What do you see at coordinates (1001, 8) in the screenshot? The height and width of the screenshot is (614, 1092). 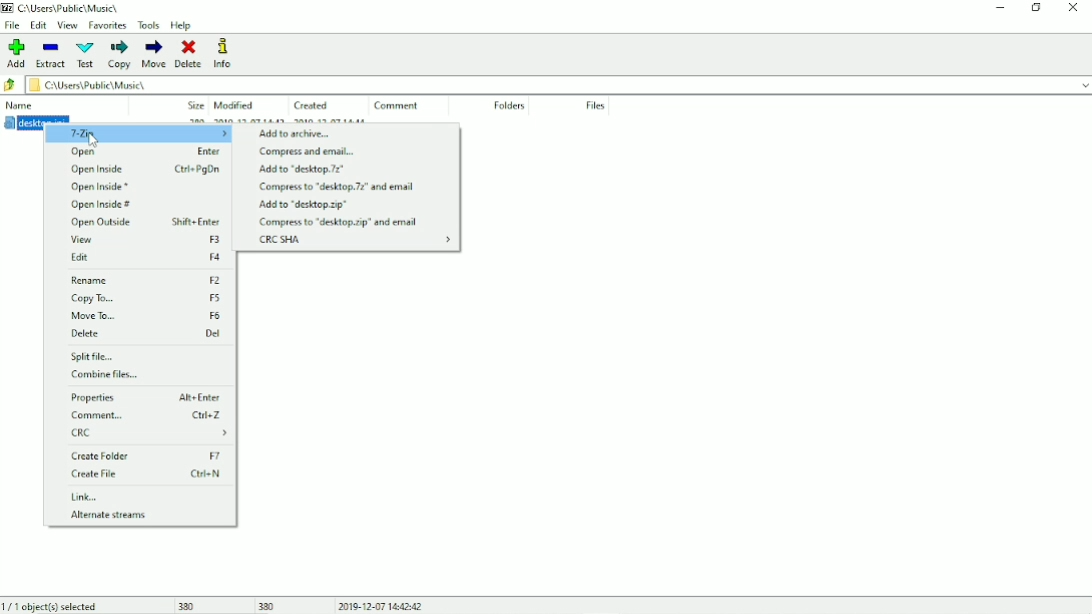 I see `Minimize` at bounding box center [1001, 8].